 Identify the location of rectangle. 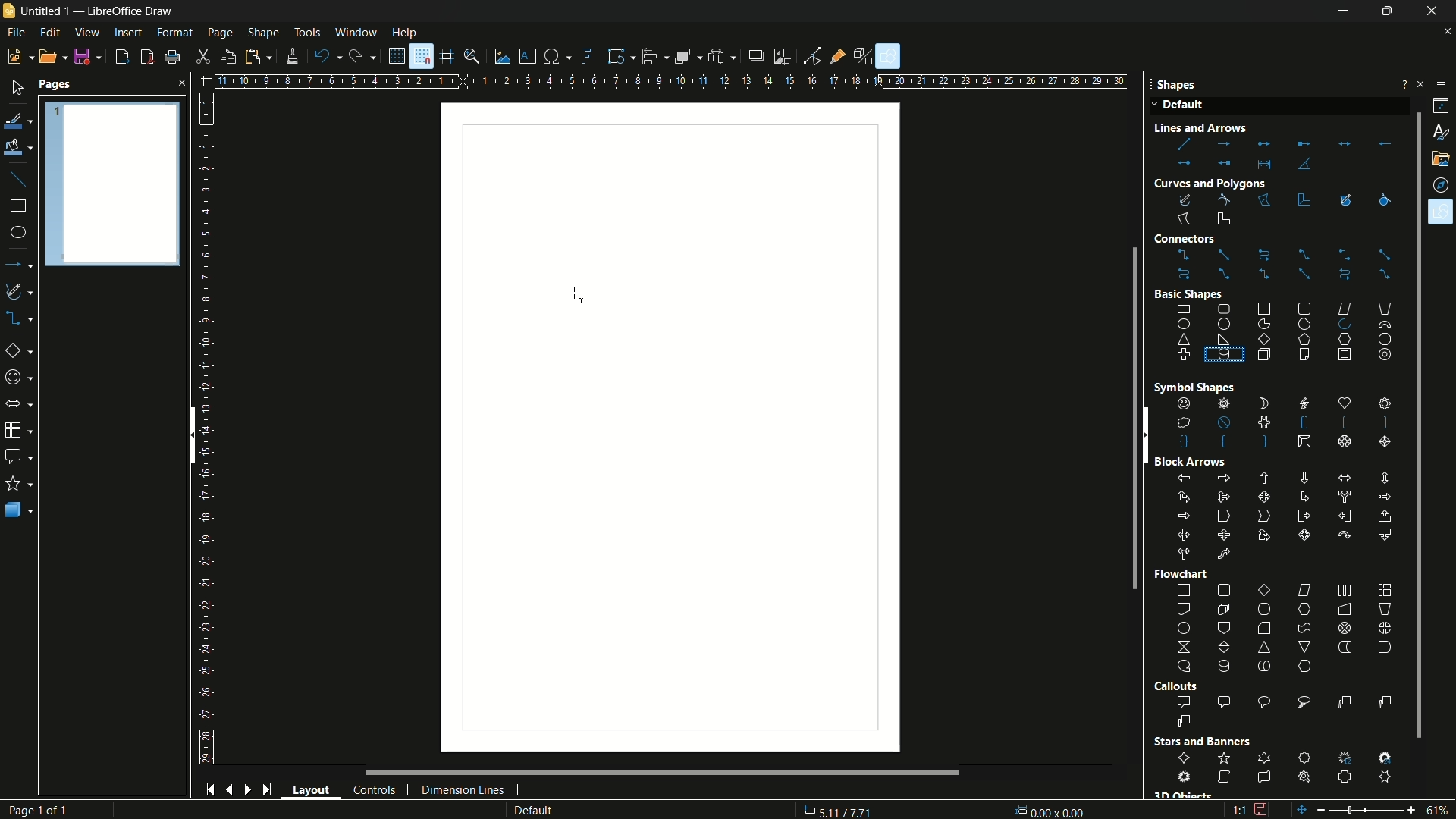
(18, 206).